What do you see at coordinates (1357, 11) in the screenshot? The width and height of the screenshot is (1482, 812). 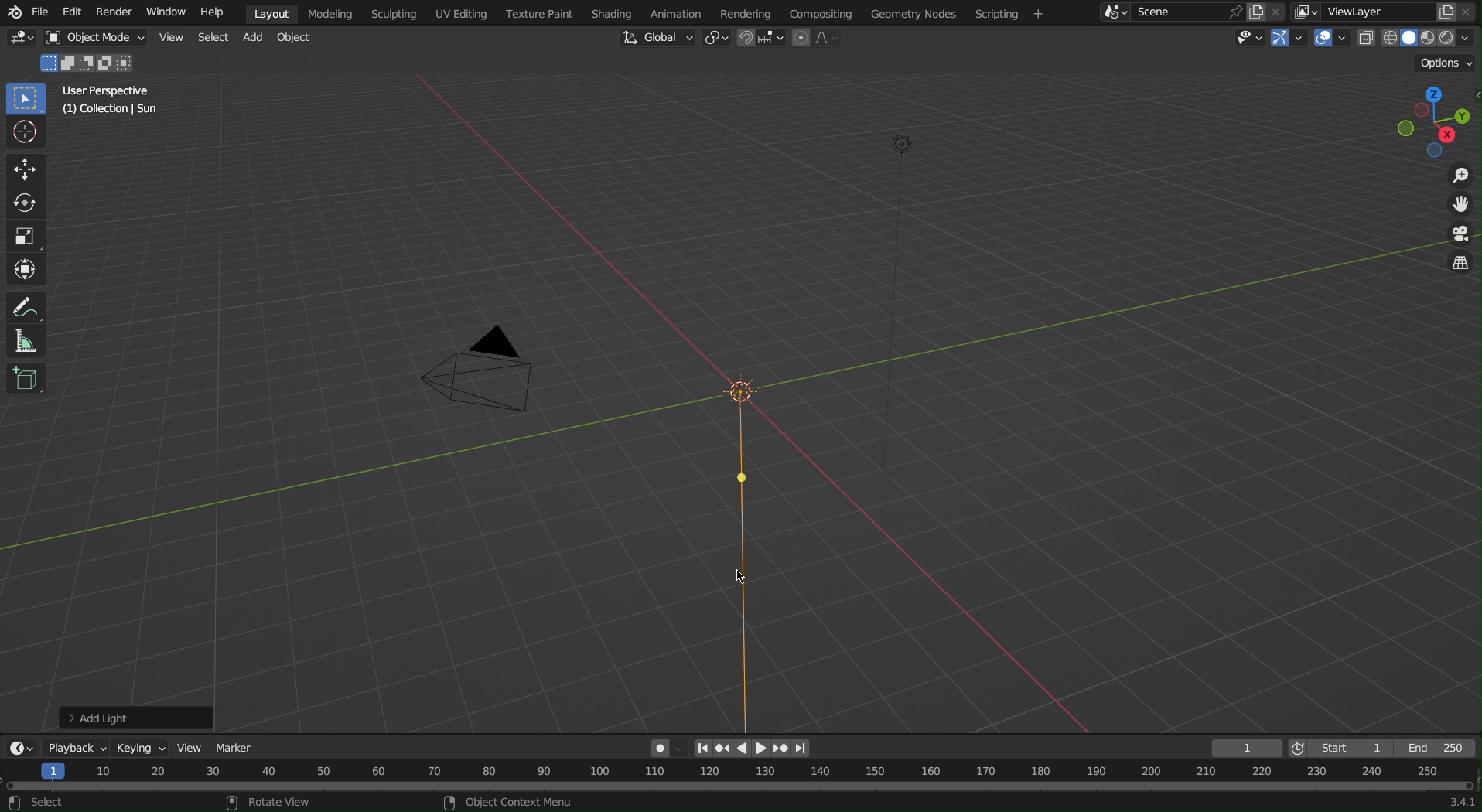 I see `View Layer` at bounding box center [1357, 11].